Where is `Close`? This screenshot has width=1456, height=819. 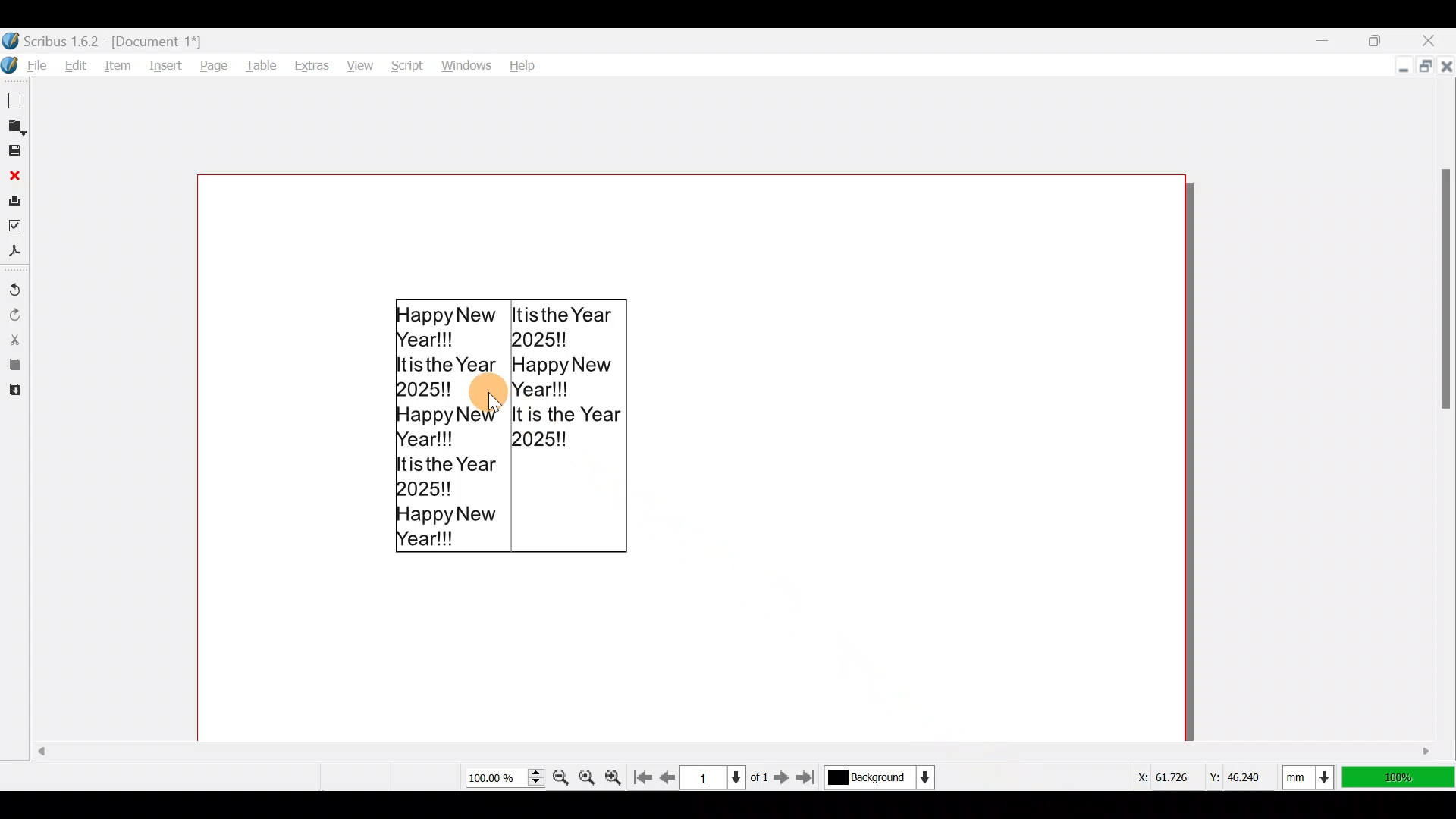
Close is located at coordinates (1445, 65).